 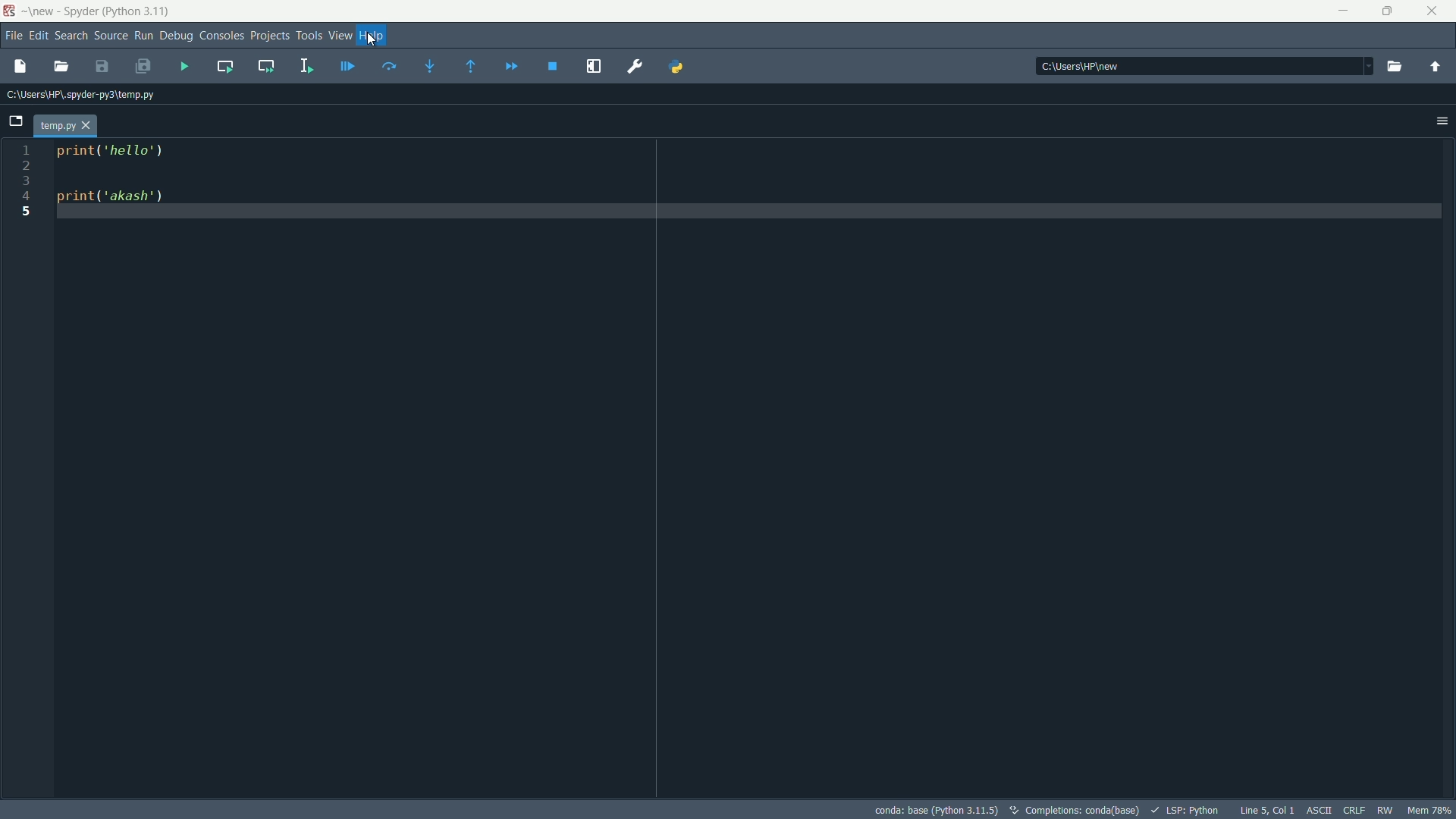 What do you see at coordinates (389, 65) in the screenshot?
I see `execute current line` at bounding box center [389, 65].